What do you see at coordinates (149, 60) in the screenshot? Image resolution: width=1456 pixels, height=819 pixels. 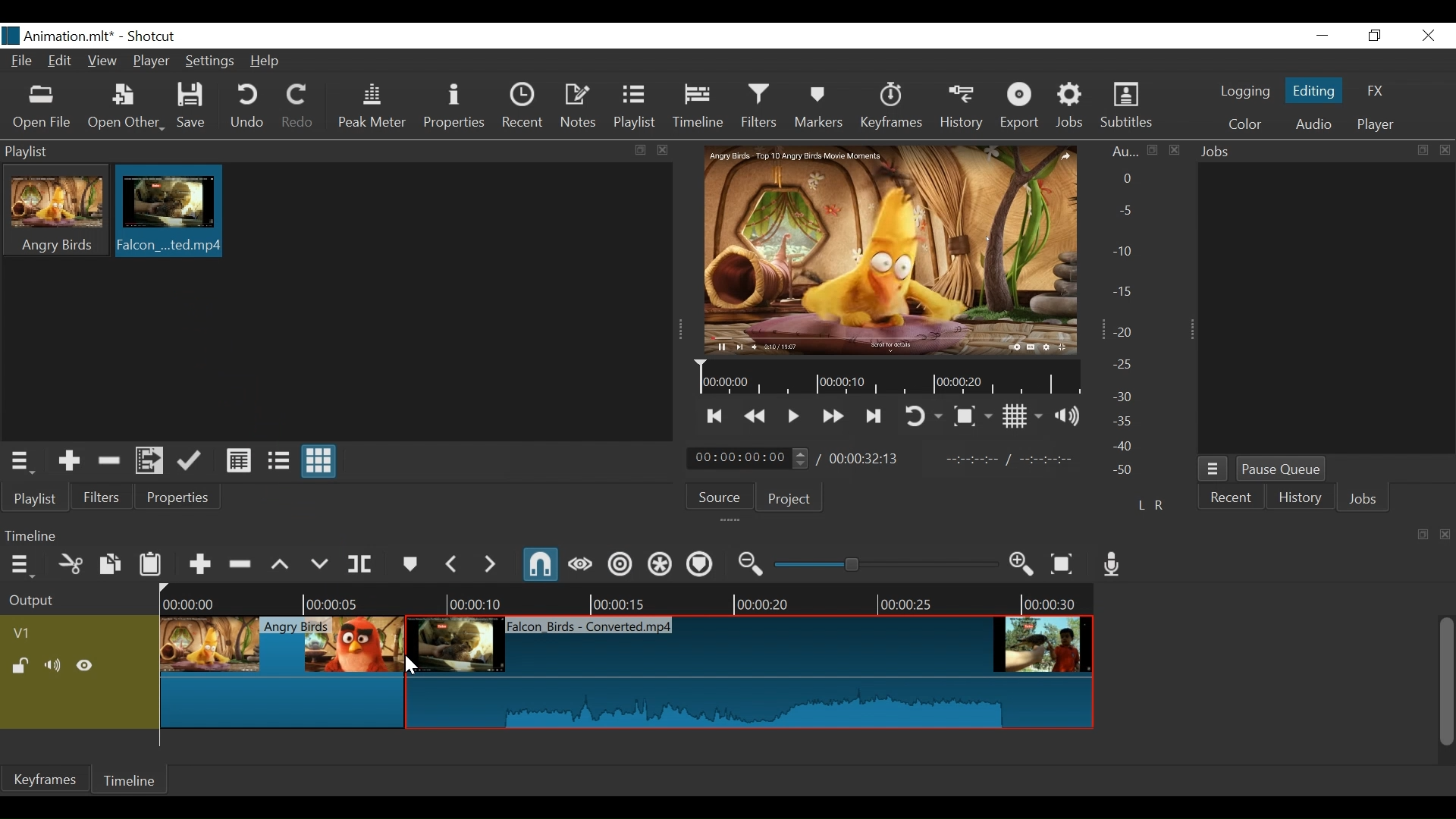 I see `Player` at bounding box center [149, 60].